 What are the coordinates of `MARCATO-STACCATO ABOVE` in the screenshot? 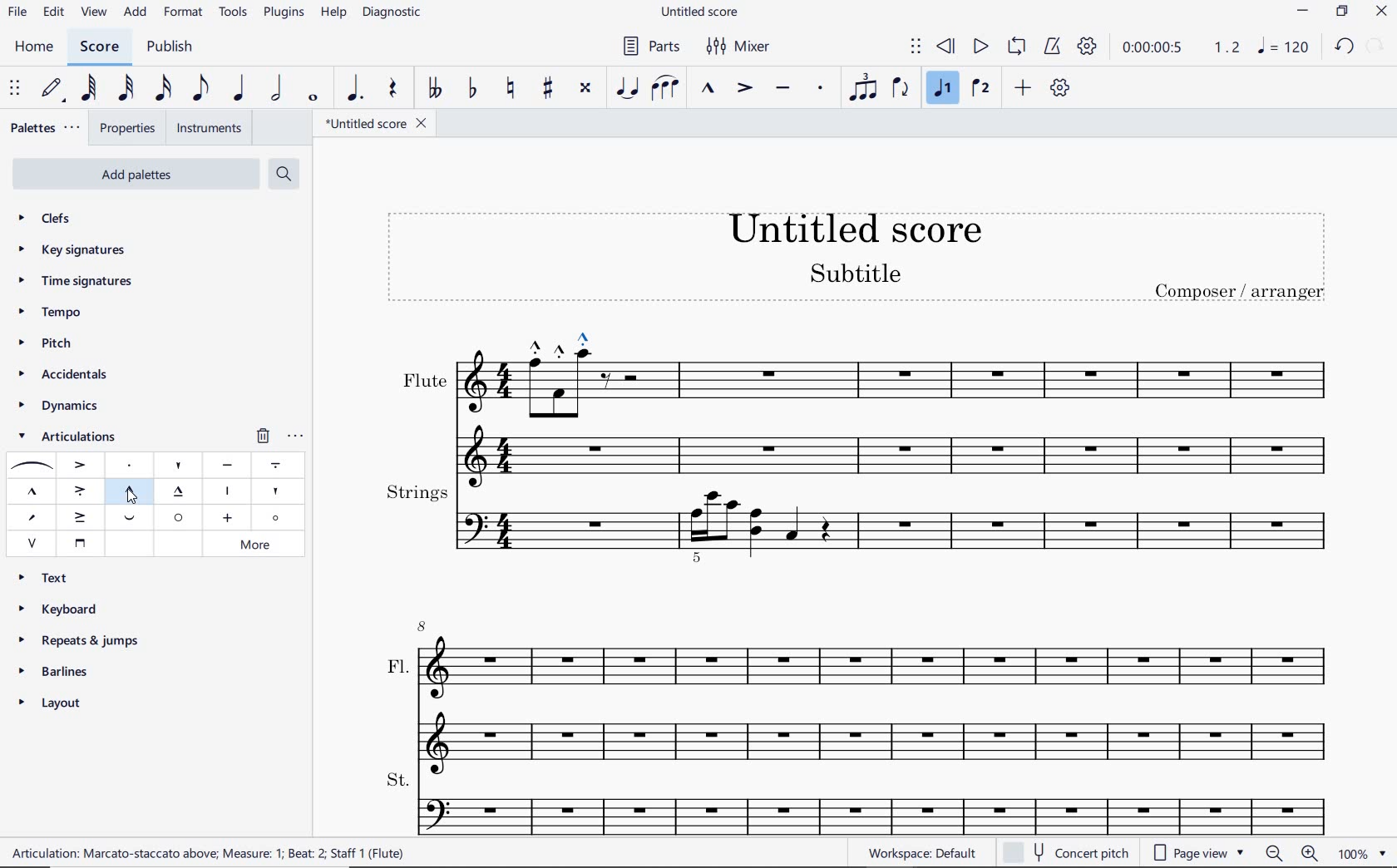 It's located at (130, 490).